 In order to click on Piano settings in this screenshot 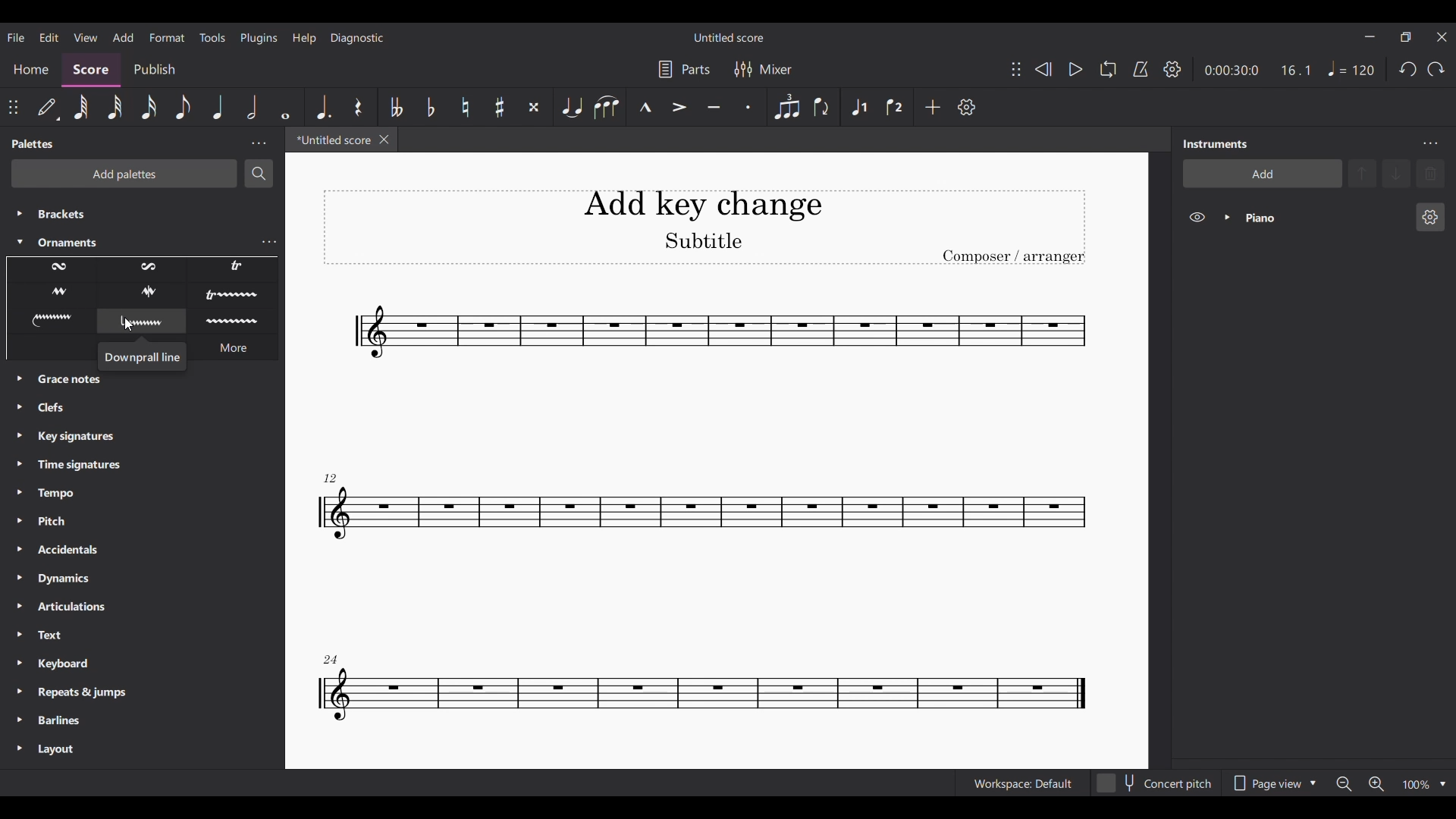, I will do `click(1431, 217)`.